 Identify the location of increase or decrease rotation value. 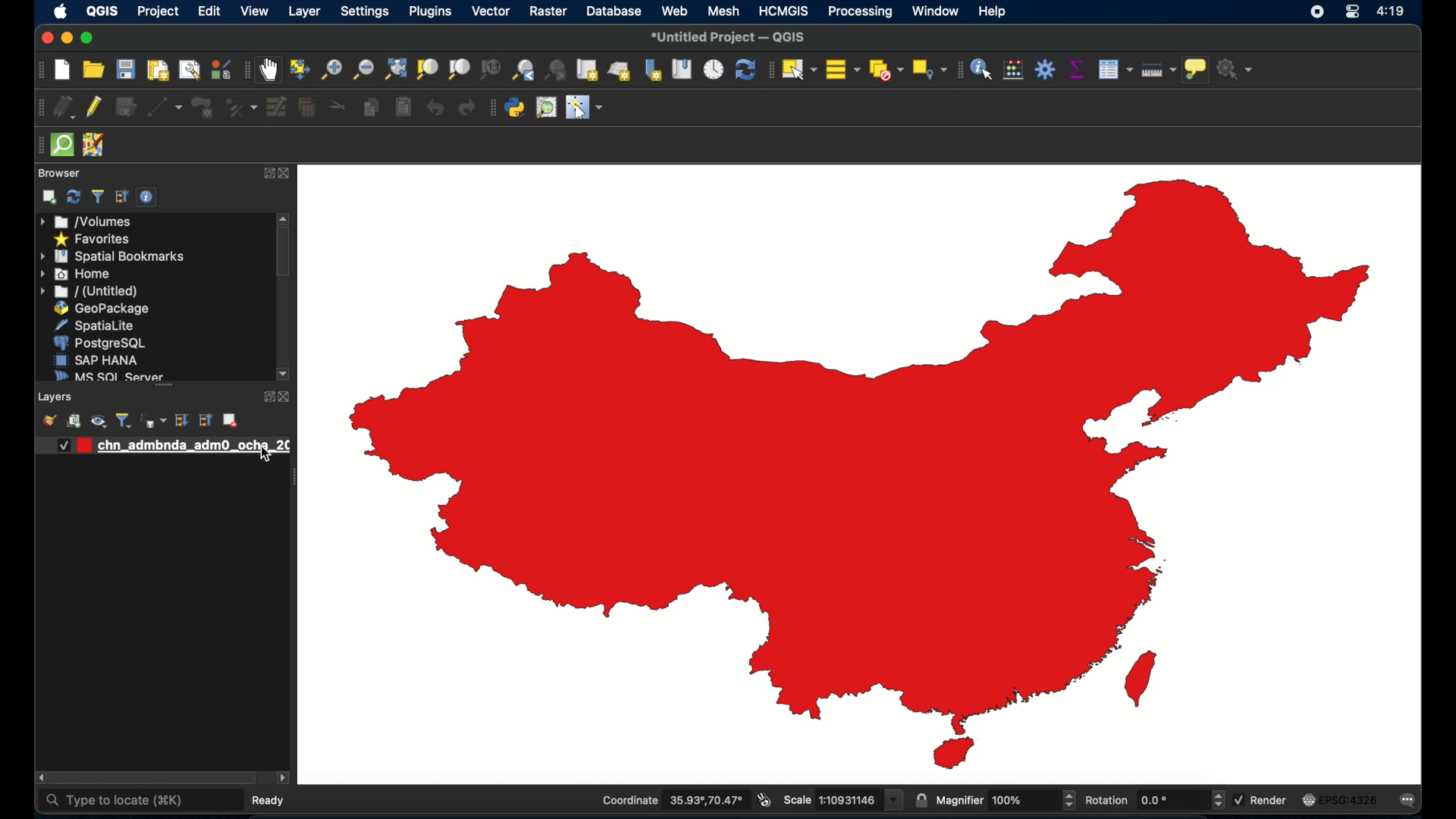
(1221, 800).